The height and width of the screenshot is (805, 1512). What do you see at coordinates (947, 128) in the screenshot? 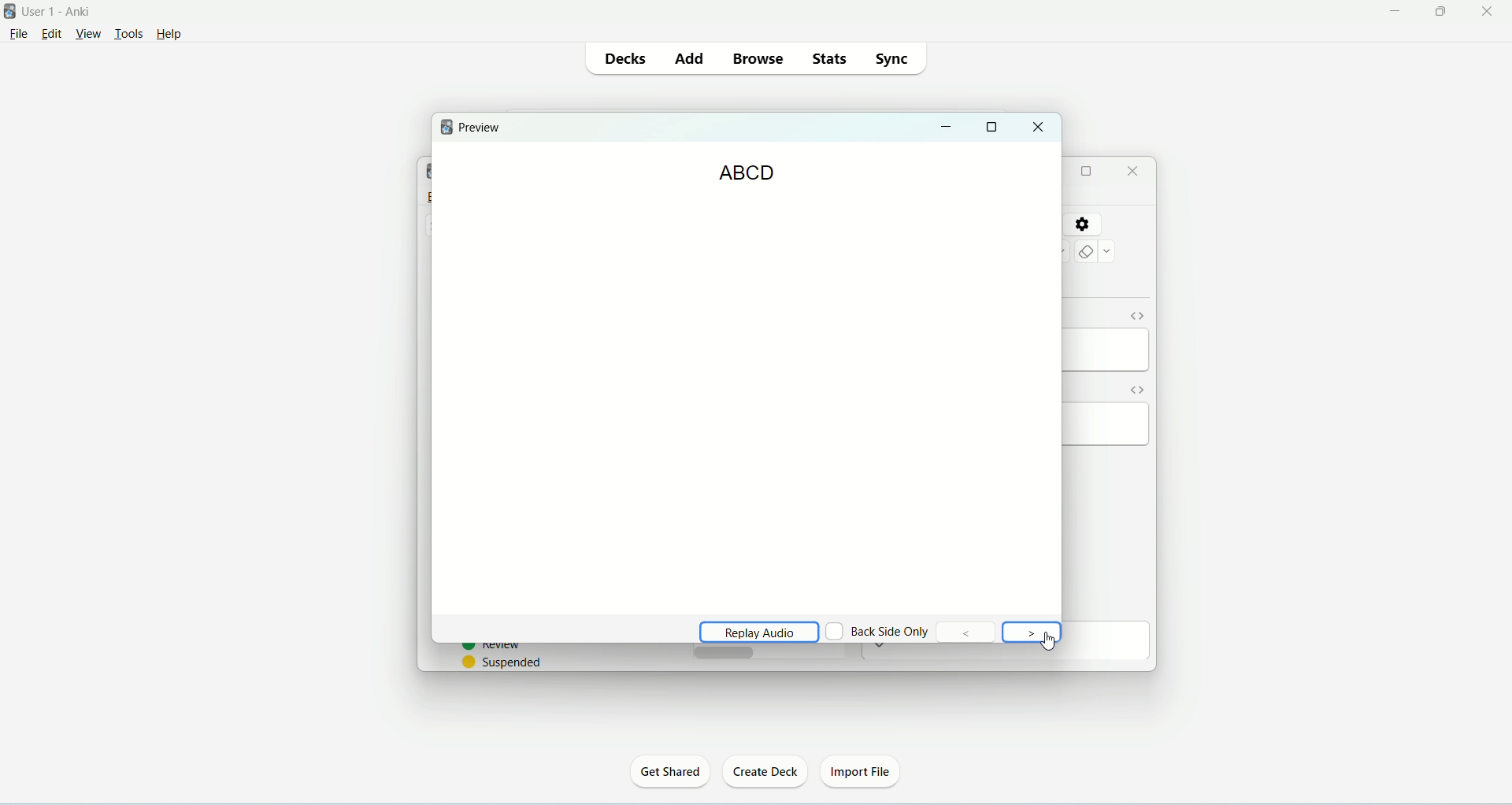
I see `minimize` at bounding box center [947, 128].